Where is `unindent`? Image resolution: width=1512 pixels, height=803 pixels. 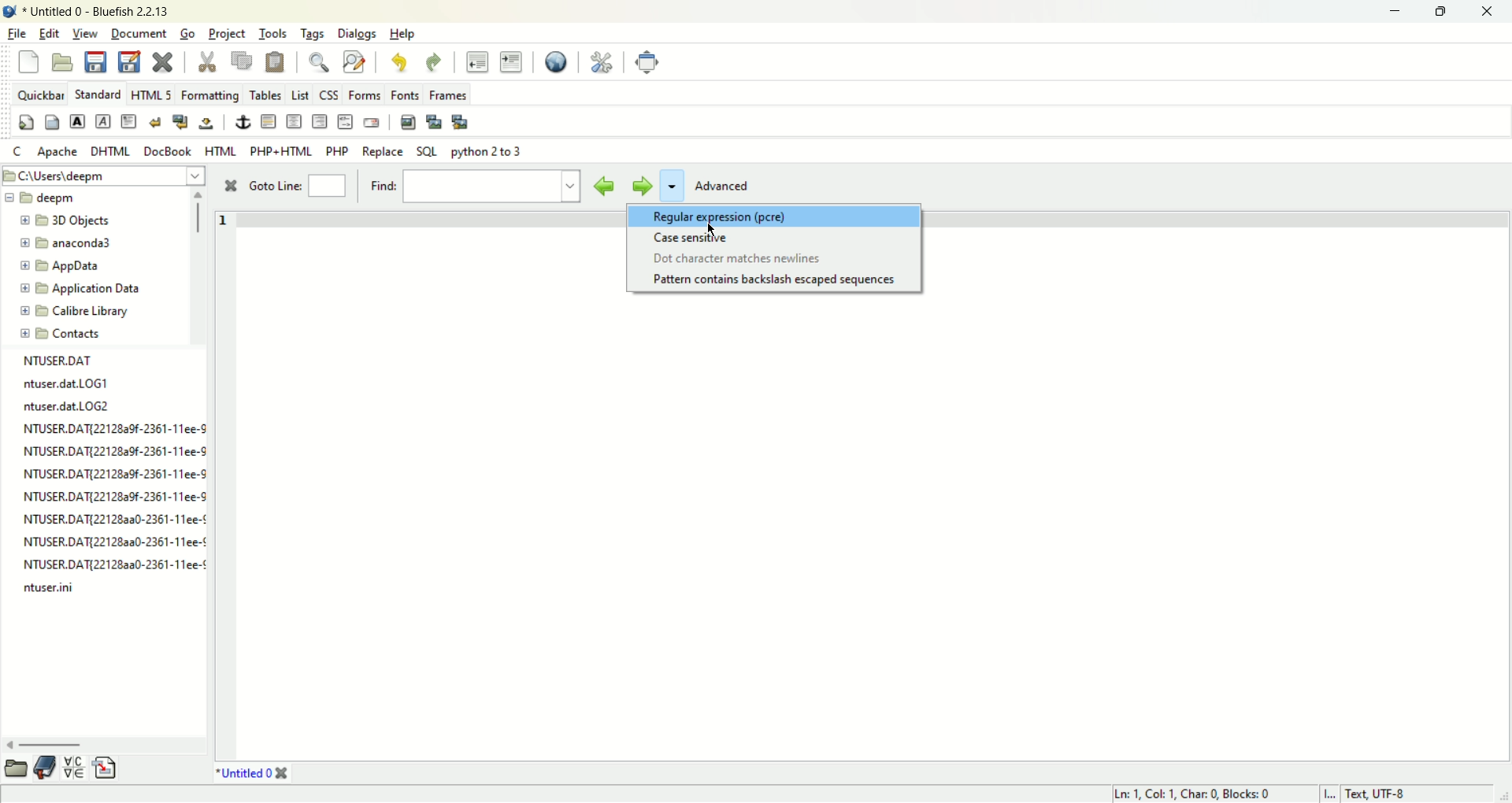 unindent is located at coordinates (478, 61).